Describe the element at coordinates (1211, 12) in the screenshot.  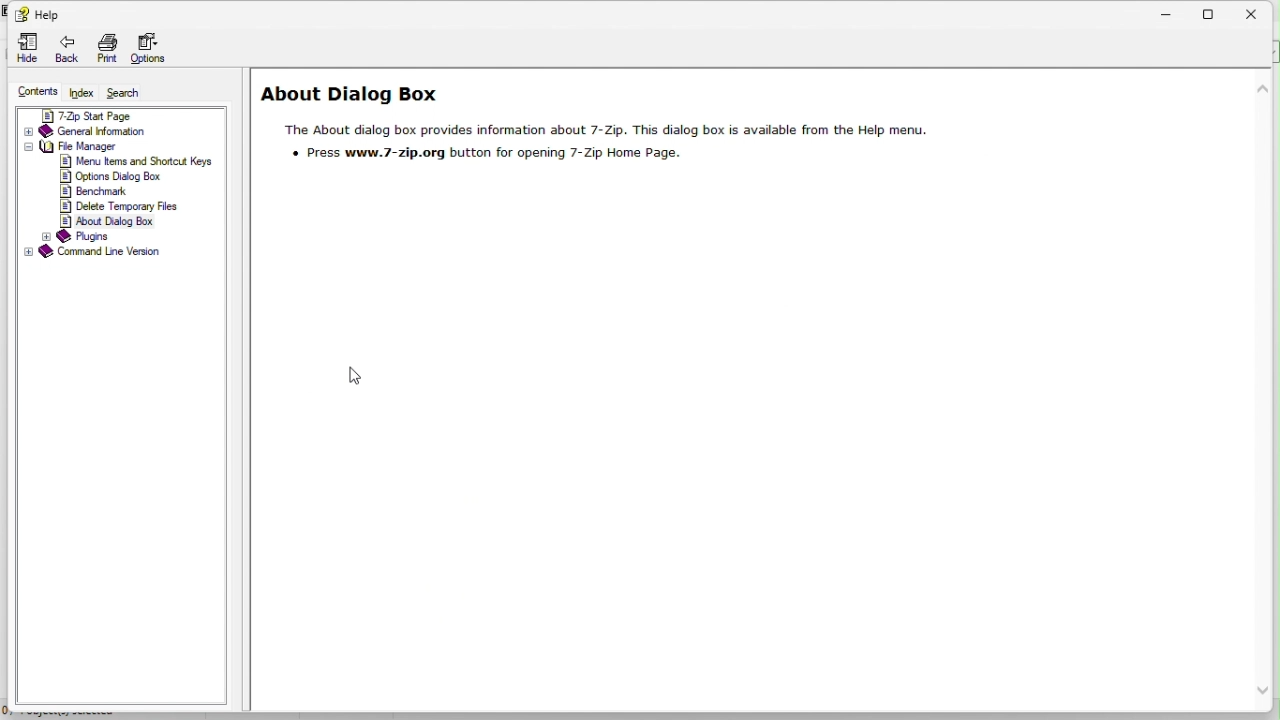
I see `Restore ` at that location.